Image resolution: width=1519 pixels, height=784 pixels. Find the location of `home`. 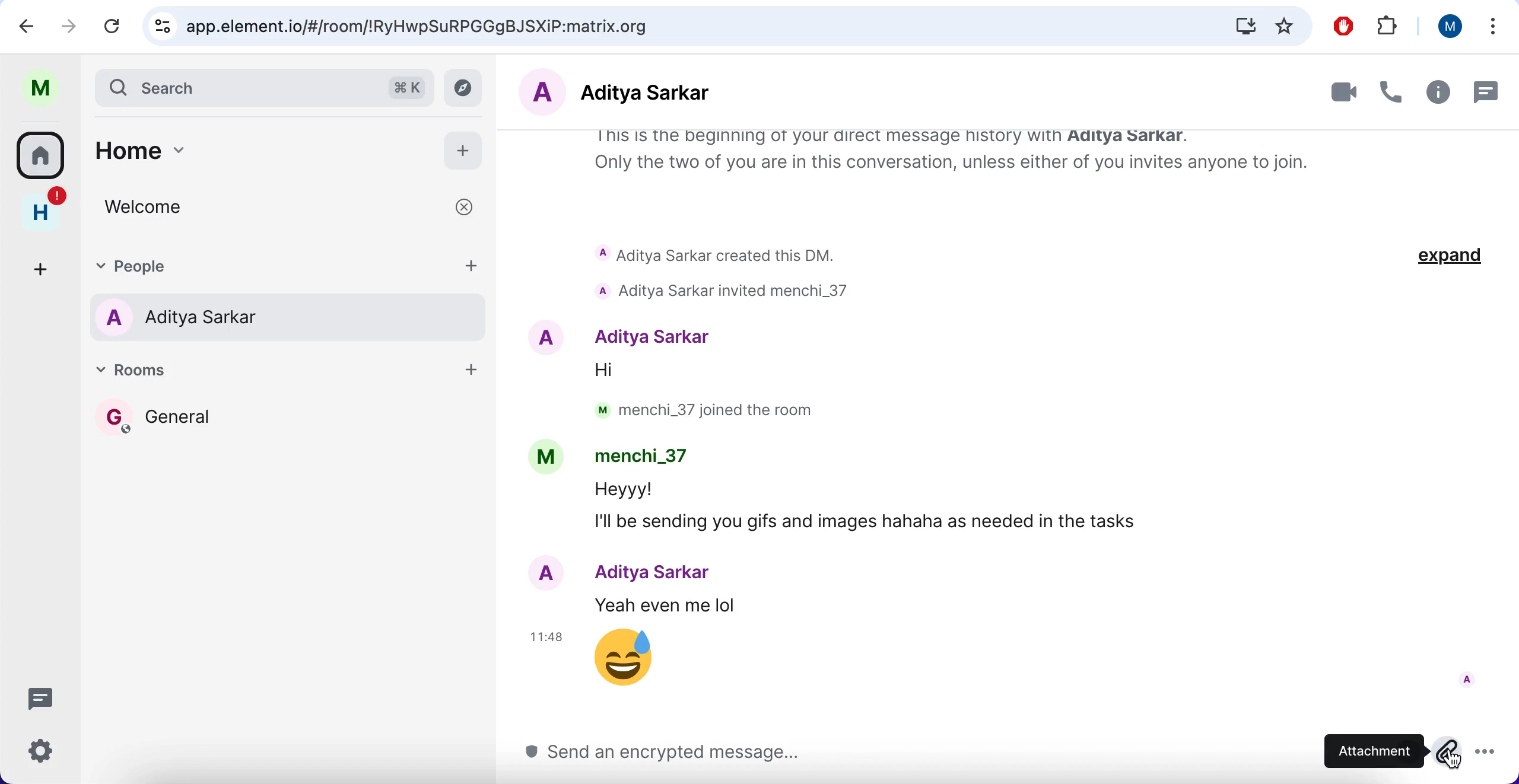

home is located at coordinates (142, 147).